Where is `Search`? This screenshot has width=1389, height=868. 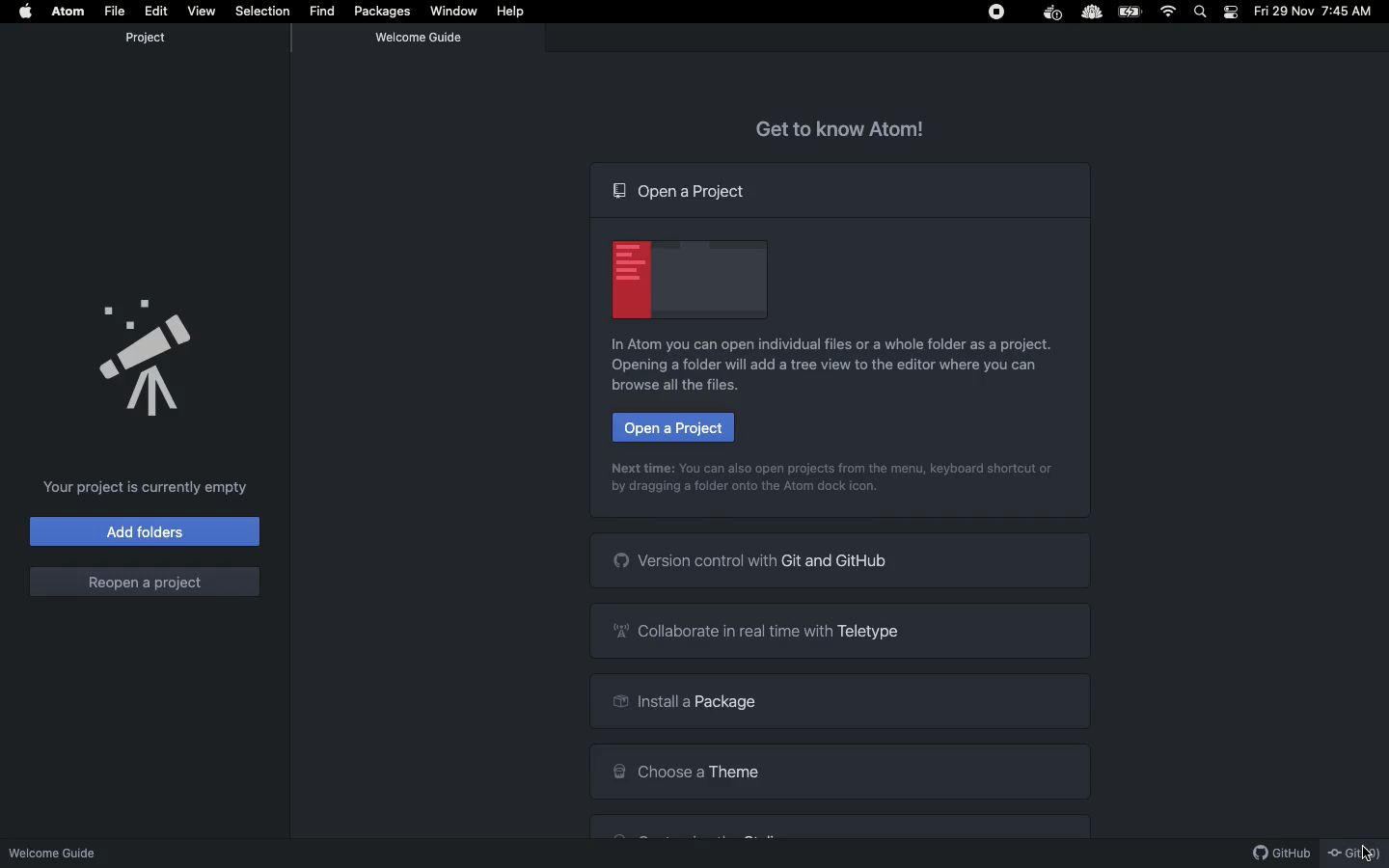
Search is located at coordinates (1202, 11).